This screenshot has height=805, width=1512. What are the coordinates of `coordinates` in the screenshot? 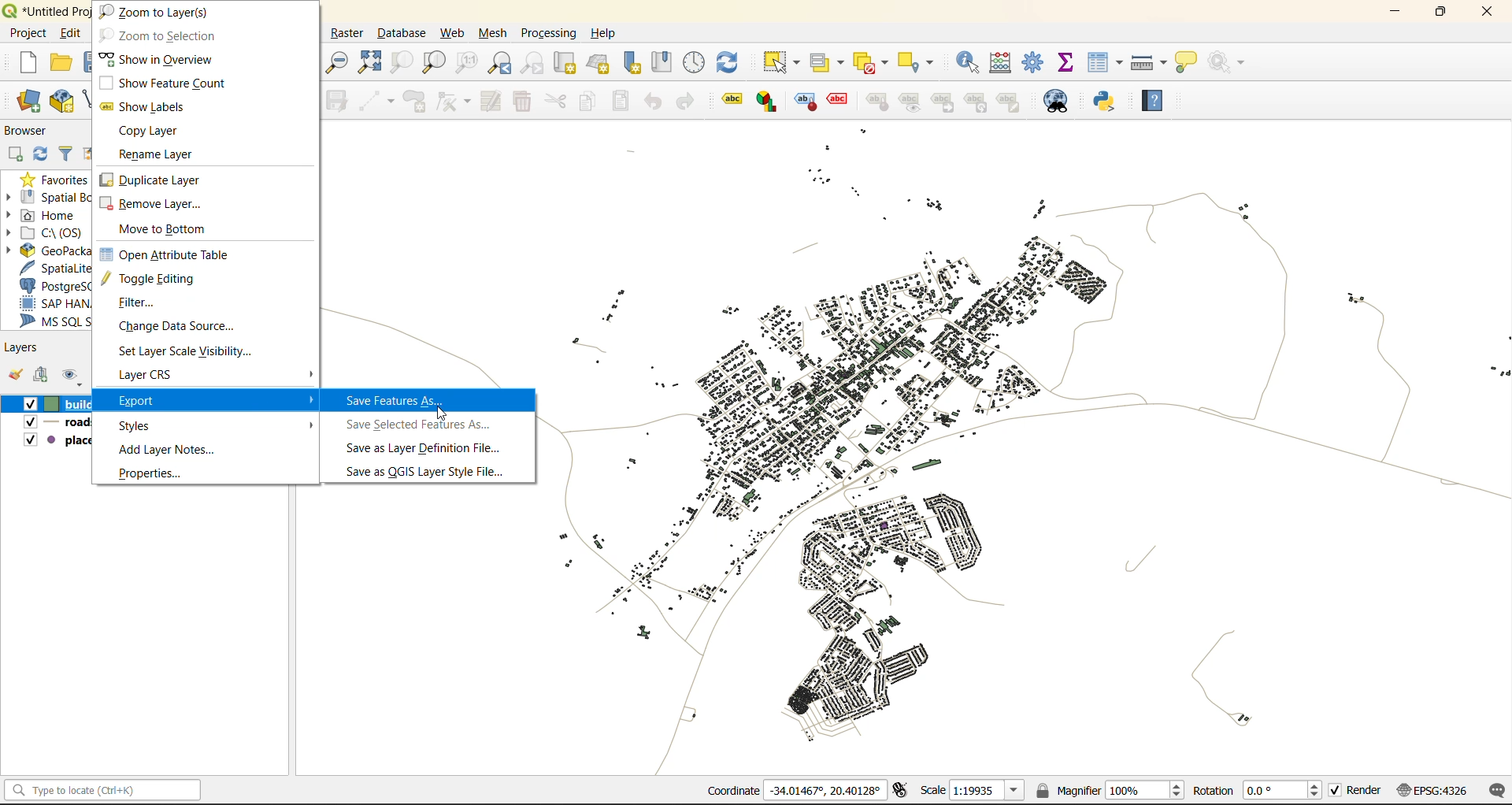 It's located at (802, 792).